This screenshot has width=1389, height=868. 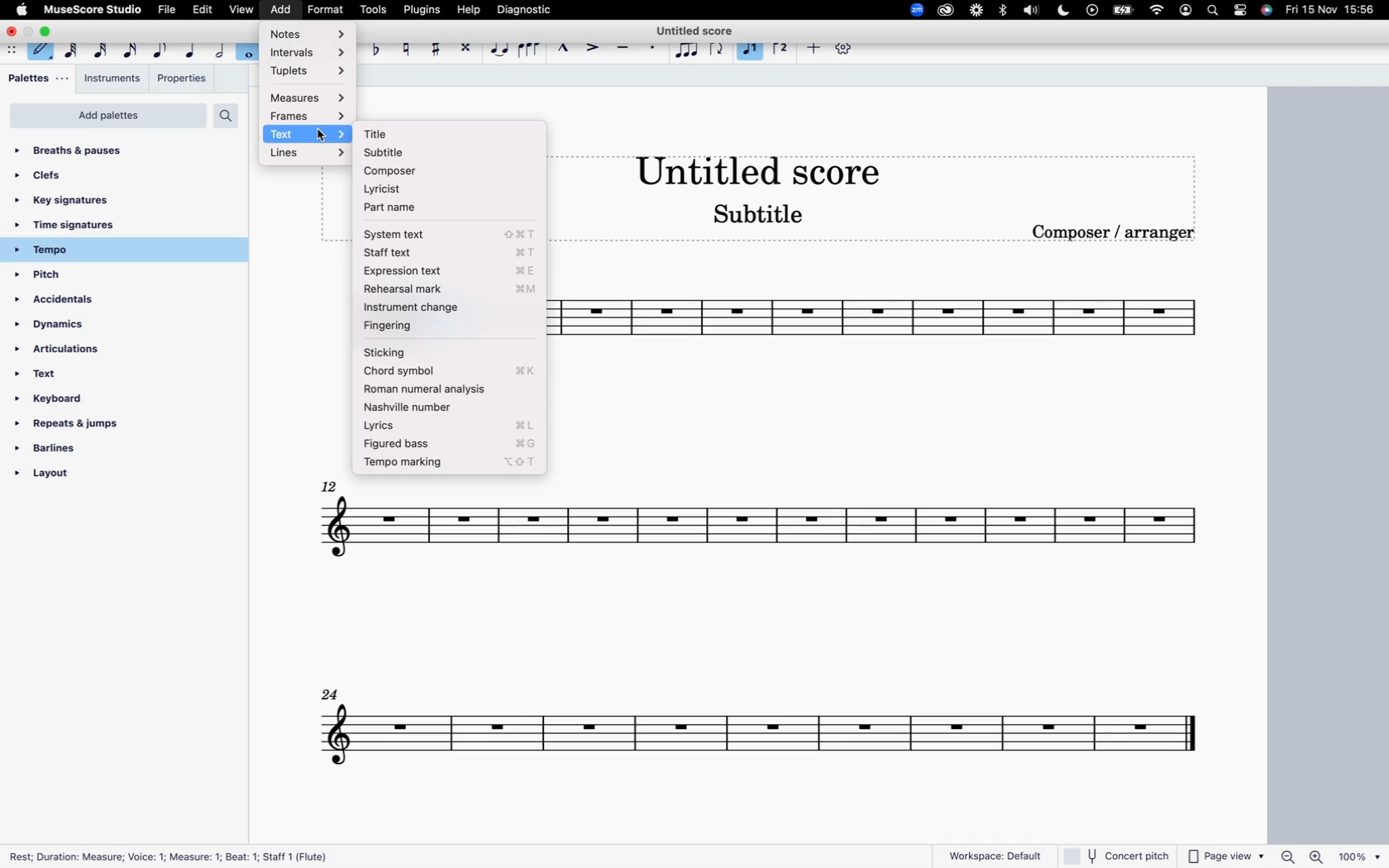 What do you see at coordinates (761, 169) in the screenshot?
I see `score title` at bounding box center [761, 169].